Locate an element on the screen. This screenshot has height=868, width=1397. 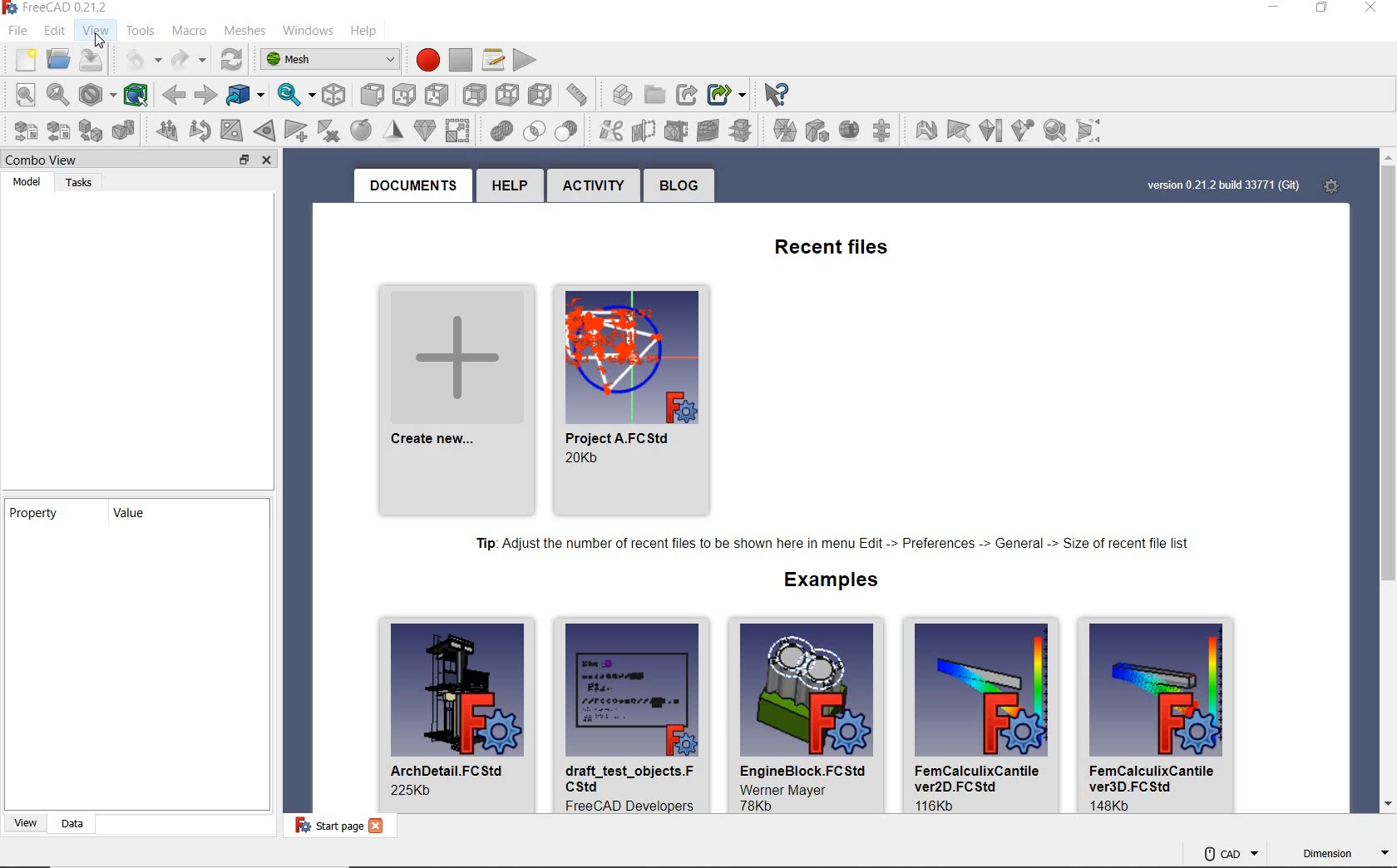
bounding box is located at coordinates (133, 92).